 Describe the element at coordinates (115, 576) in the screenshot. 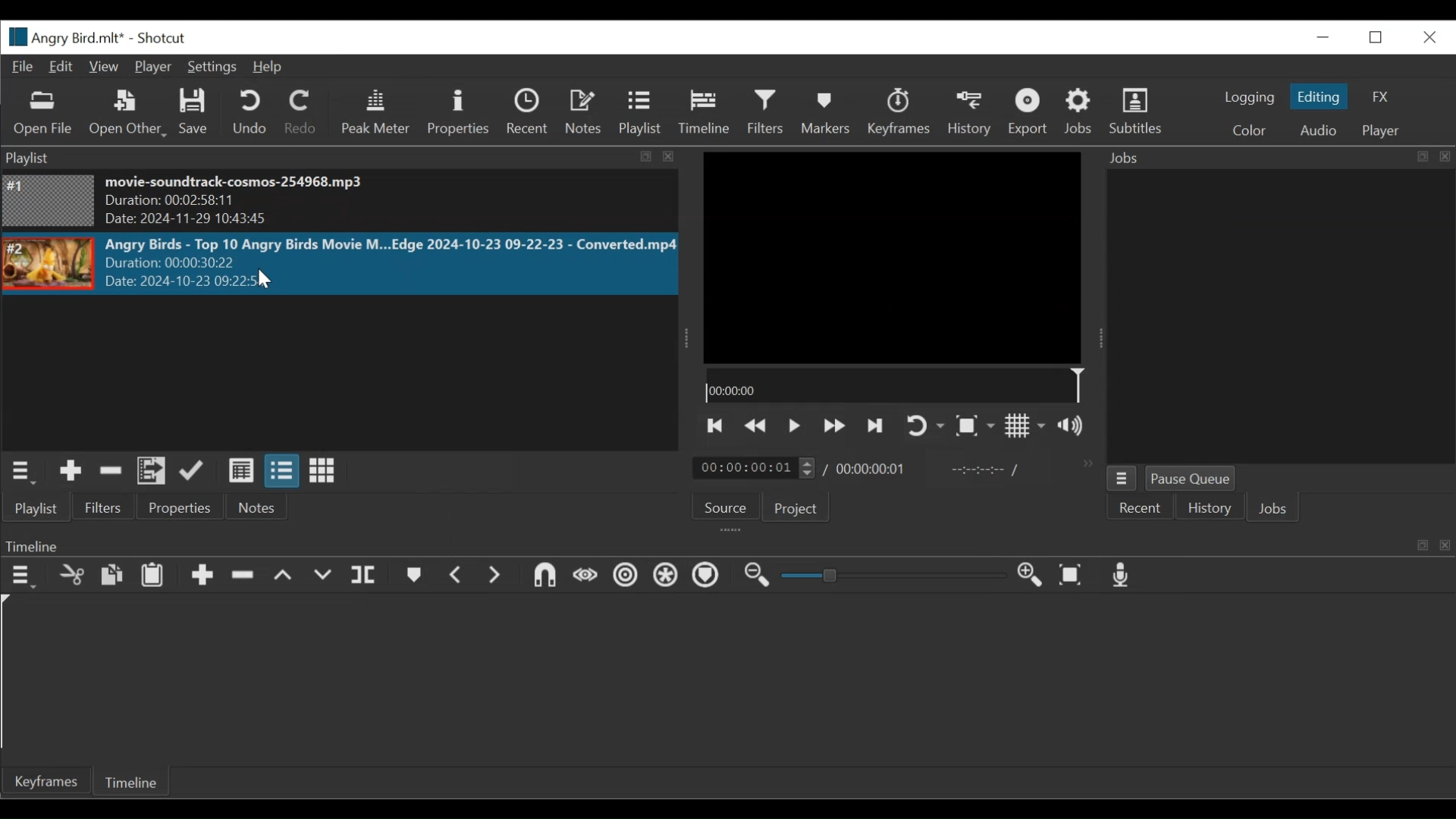

I see `Copy` at that location.